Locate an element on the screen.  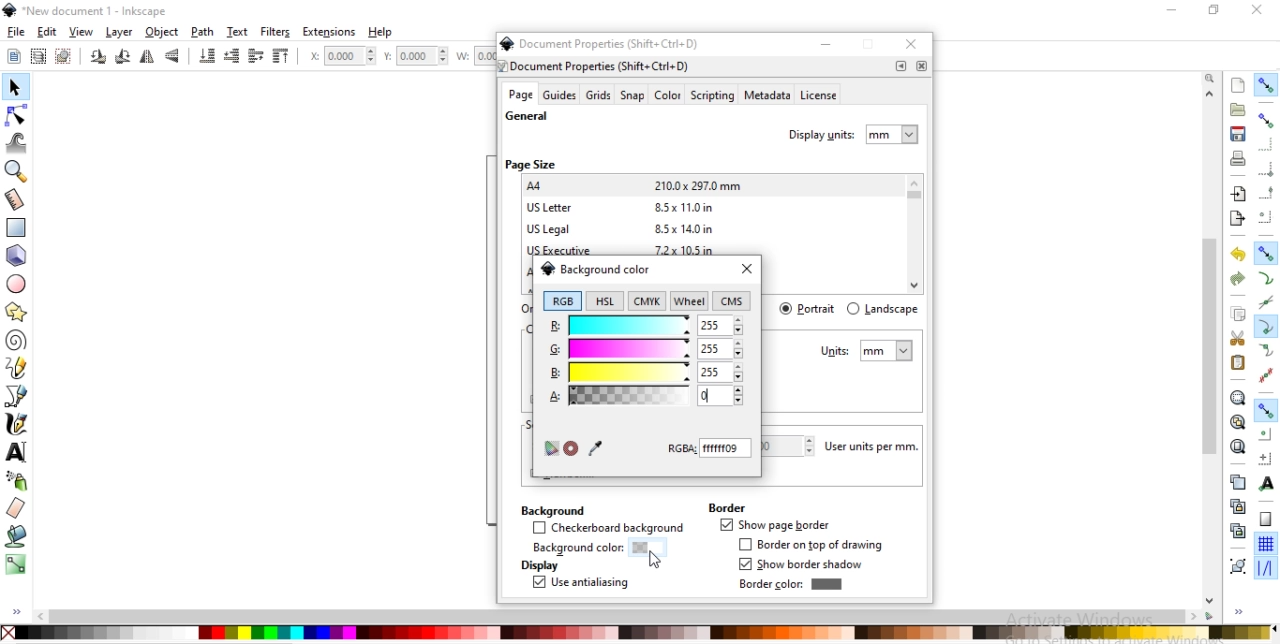
erase existing paths is located at coordinates (16, 507).